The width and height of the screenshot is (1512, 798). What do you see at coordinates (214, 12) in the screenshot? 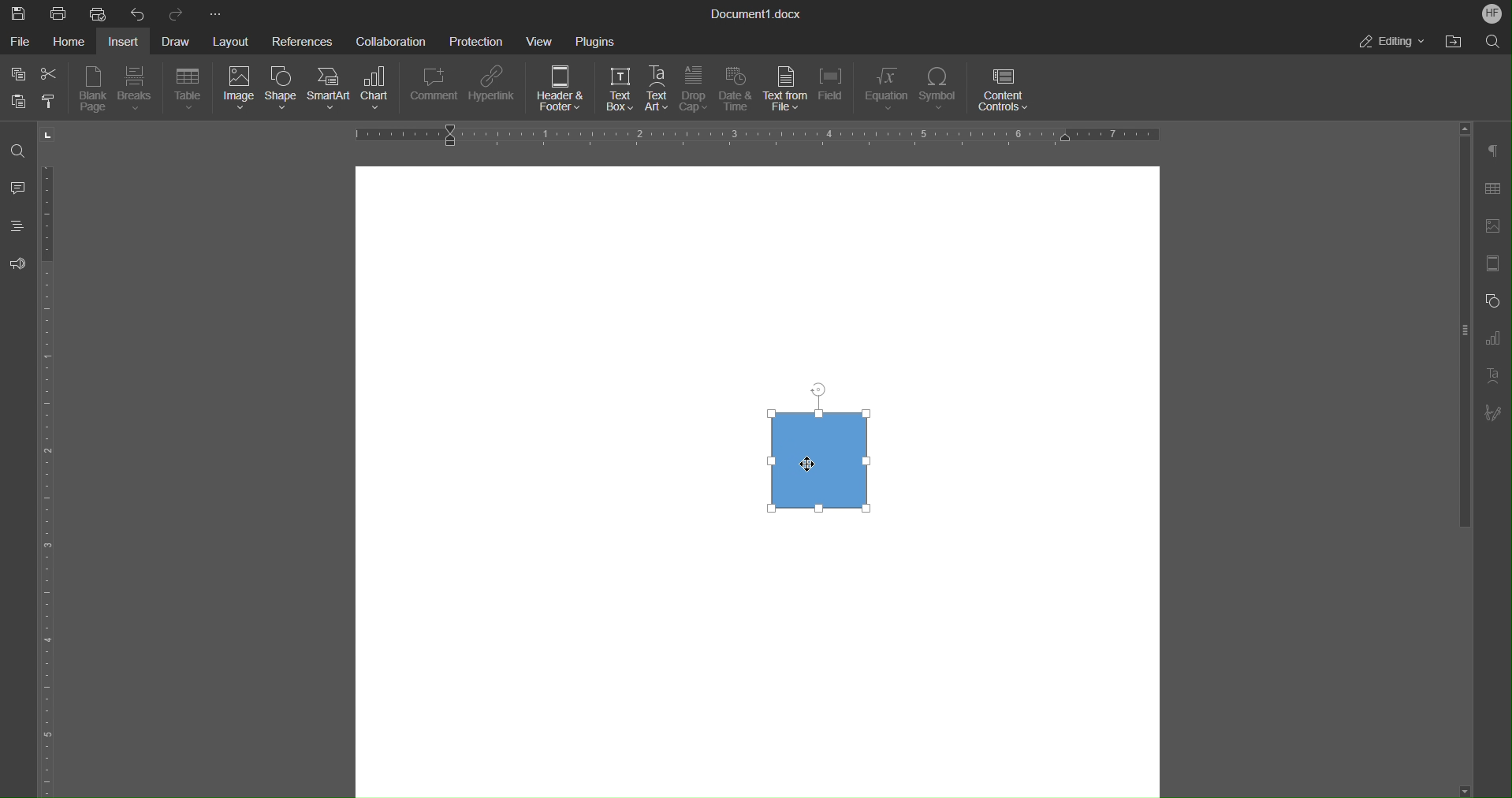
I see `More` at bounding box center [214, 12].